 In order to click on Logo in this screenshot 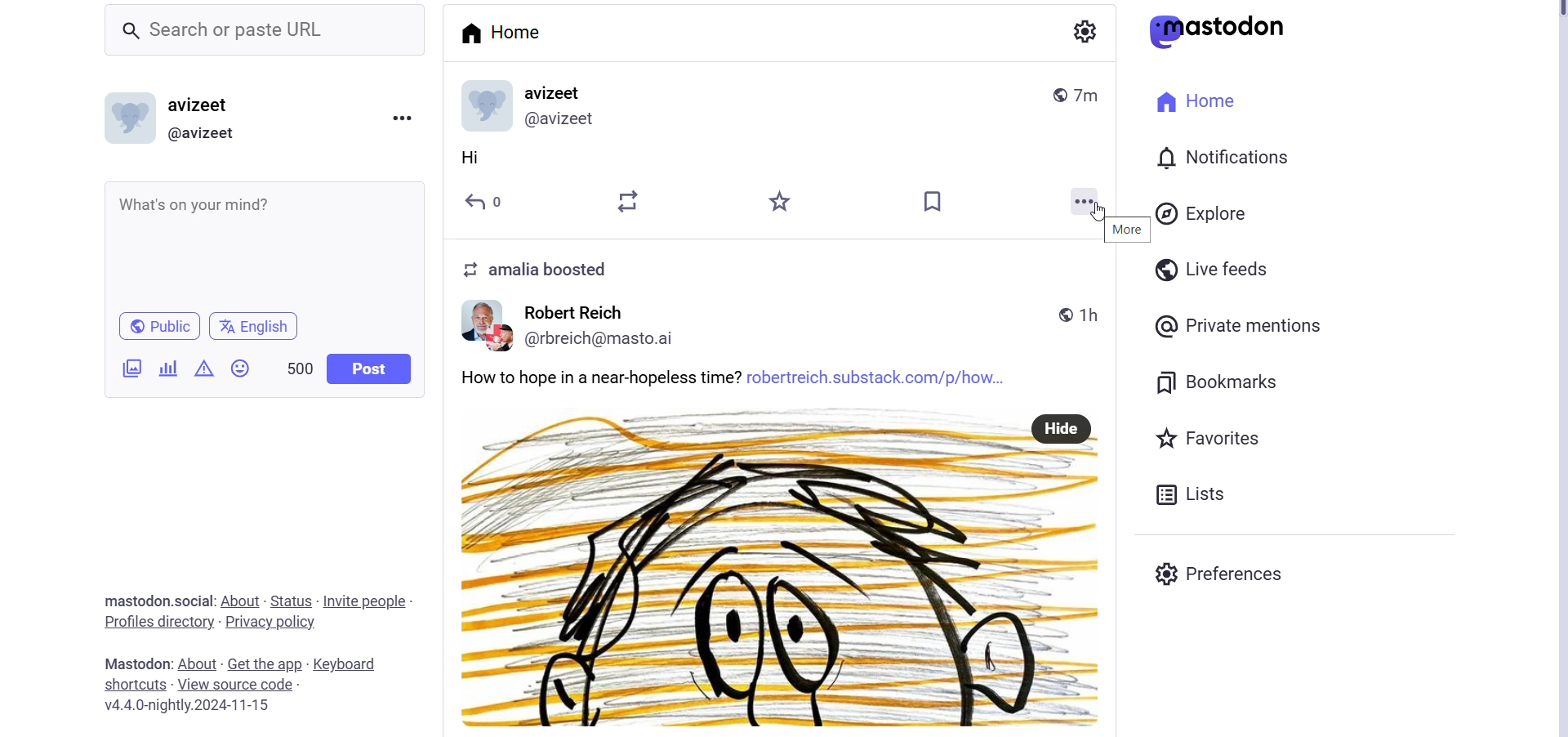, I will do `click(1226, 30)`.